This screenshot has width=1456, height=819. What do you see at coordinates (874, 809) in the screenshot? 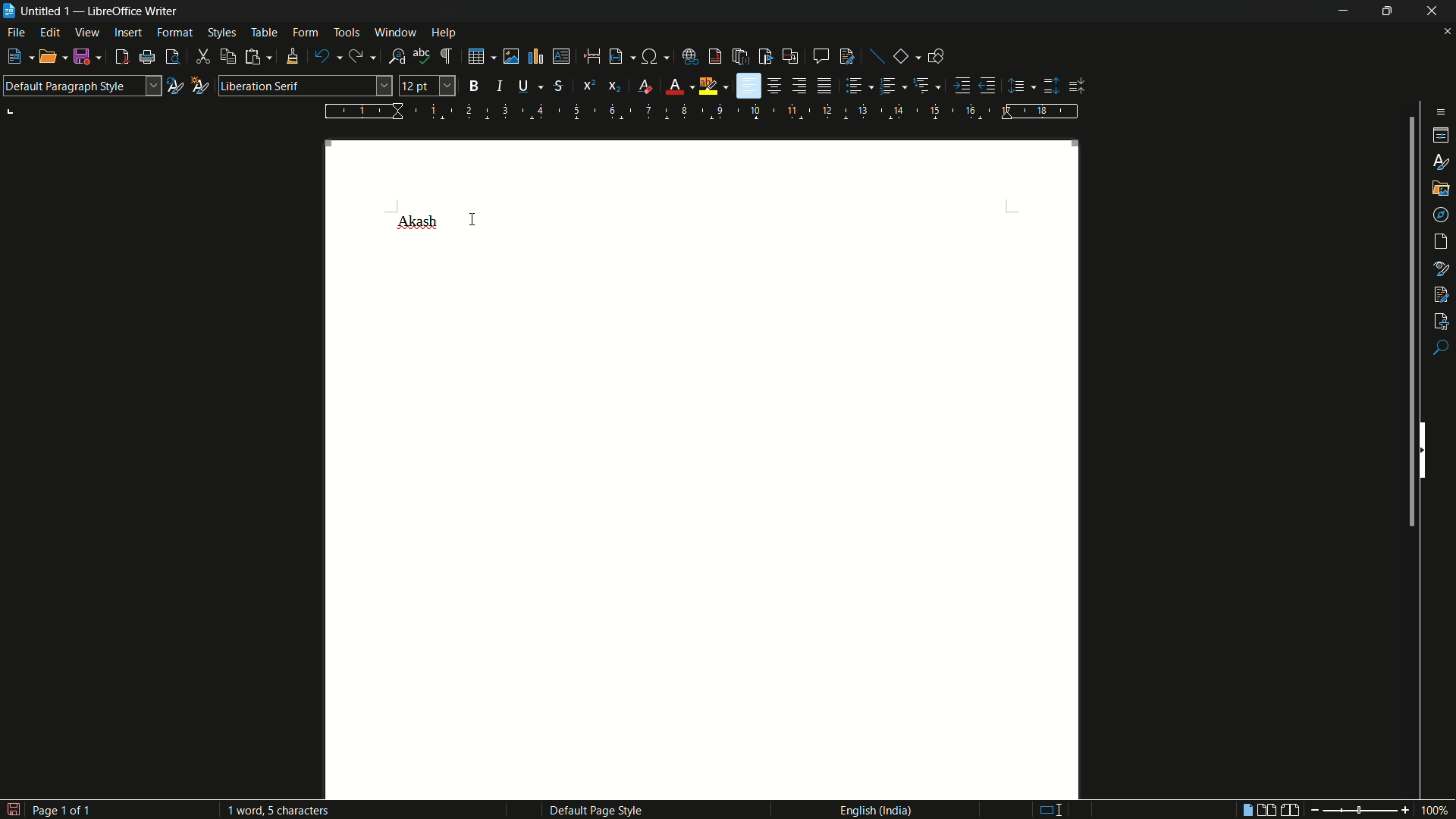
I see `language` at bounding box center [874, 809].